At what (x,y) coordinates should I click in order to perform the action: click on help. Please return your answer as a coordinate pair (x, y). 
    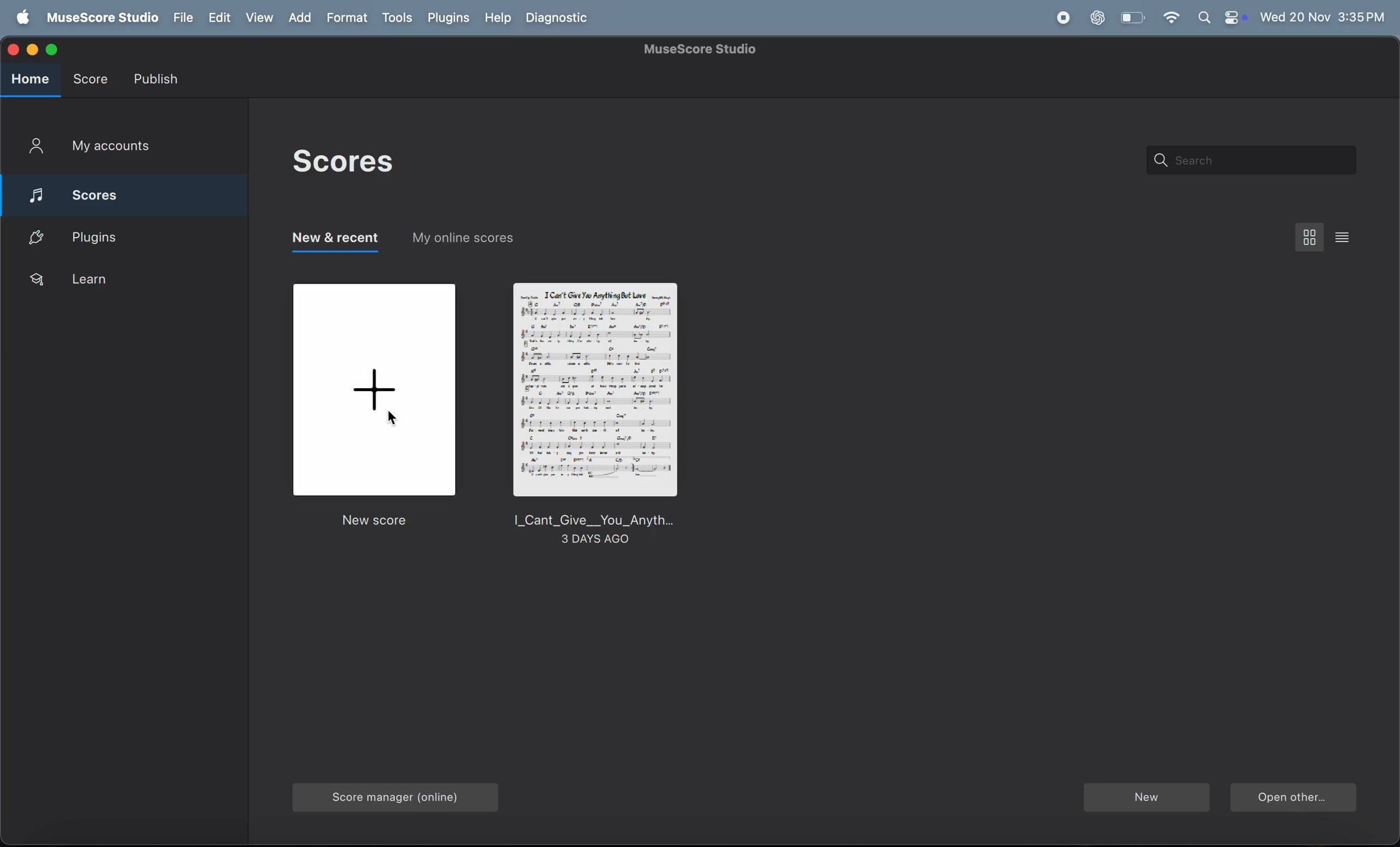
    Looking at the image, I should click on (495, 18).